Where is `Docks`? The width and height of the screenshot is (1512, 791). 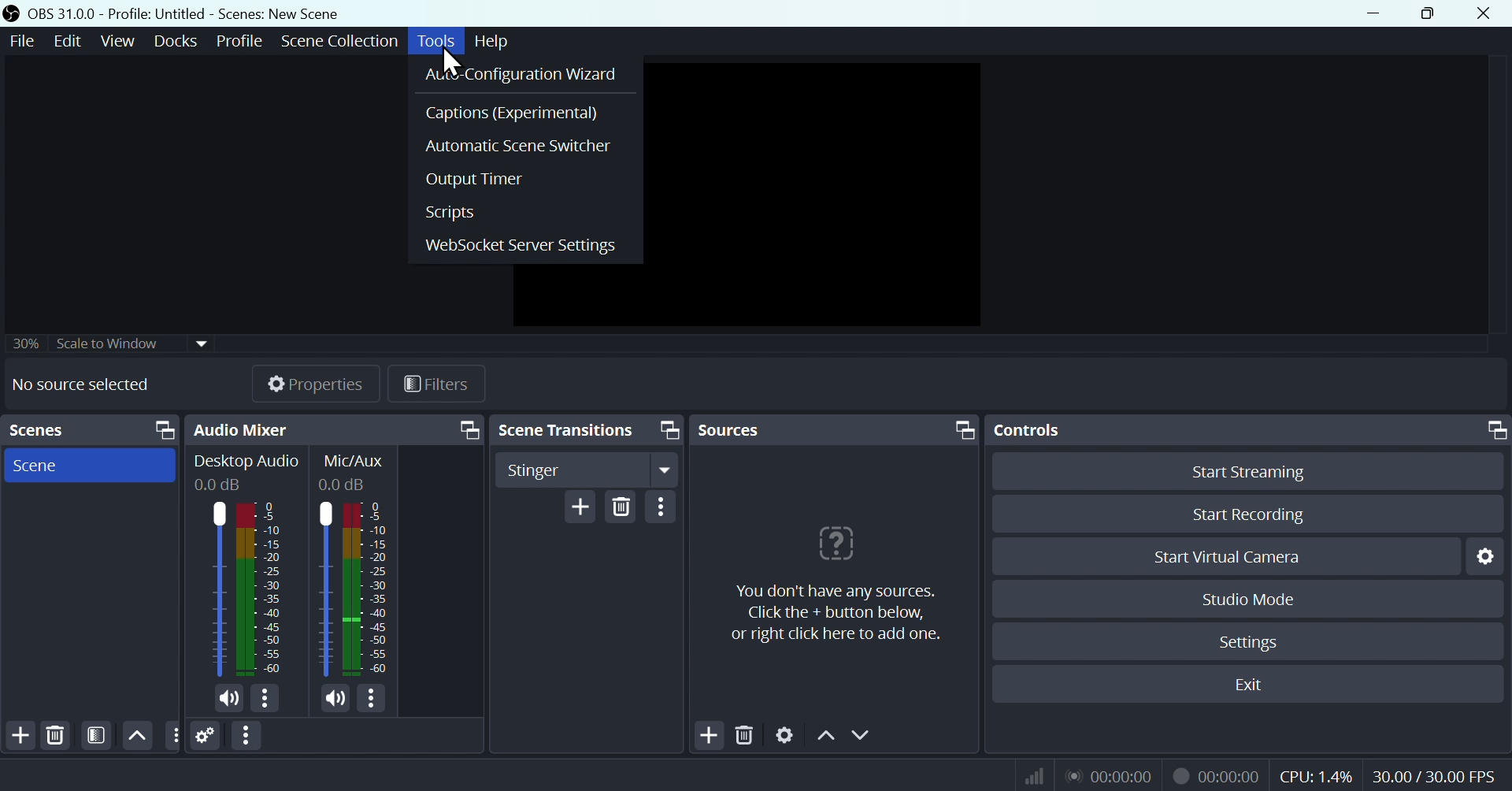 Docks is located at coordinates (170, 41).